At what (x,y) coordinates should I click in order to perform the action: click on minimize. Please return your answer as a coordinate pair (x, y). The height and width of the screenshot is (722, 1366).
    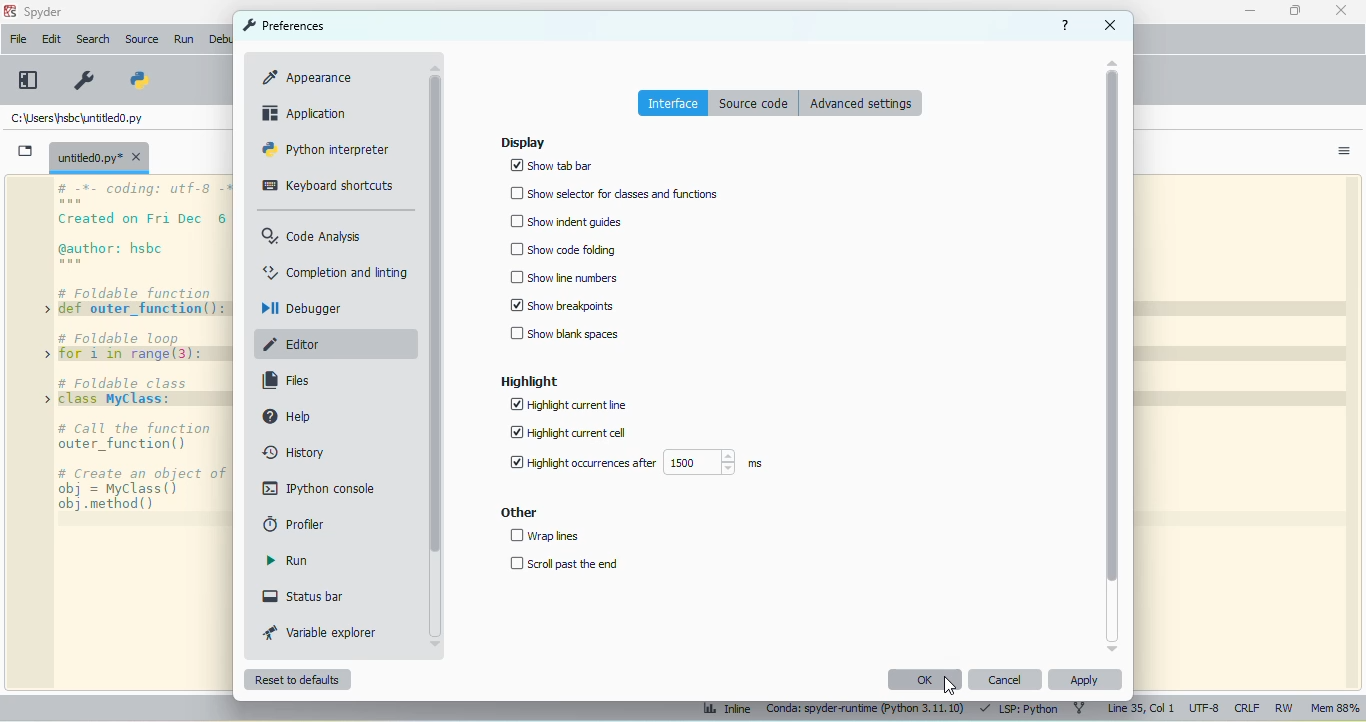
    Looking at the image, I should click on (1249, 11).